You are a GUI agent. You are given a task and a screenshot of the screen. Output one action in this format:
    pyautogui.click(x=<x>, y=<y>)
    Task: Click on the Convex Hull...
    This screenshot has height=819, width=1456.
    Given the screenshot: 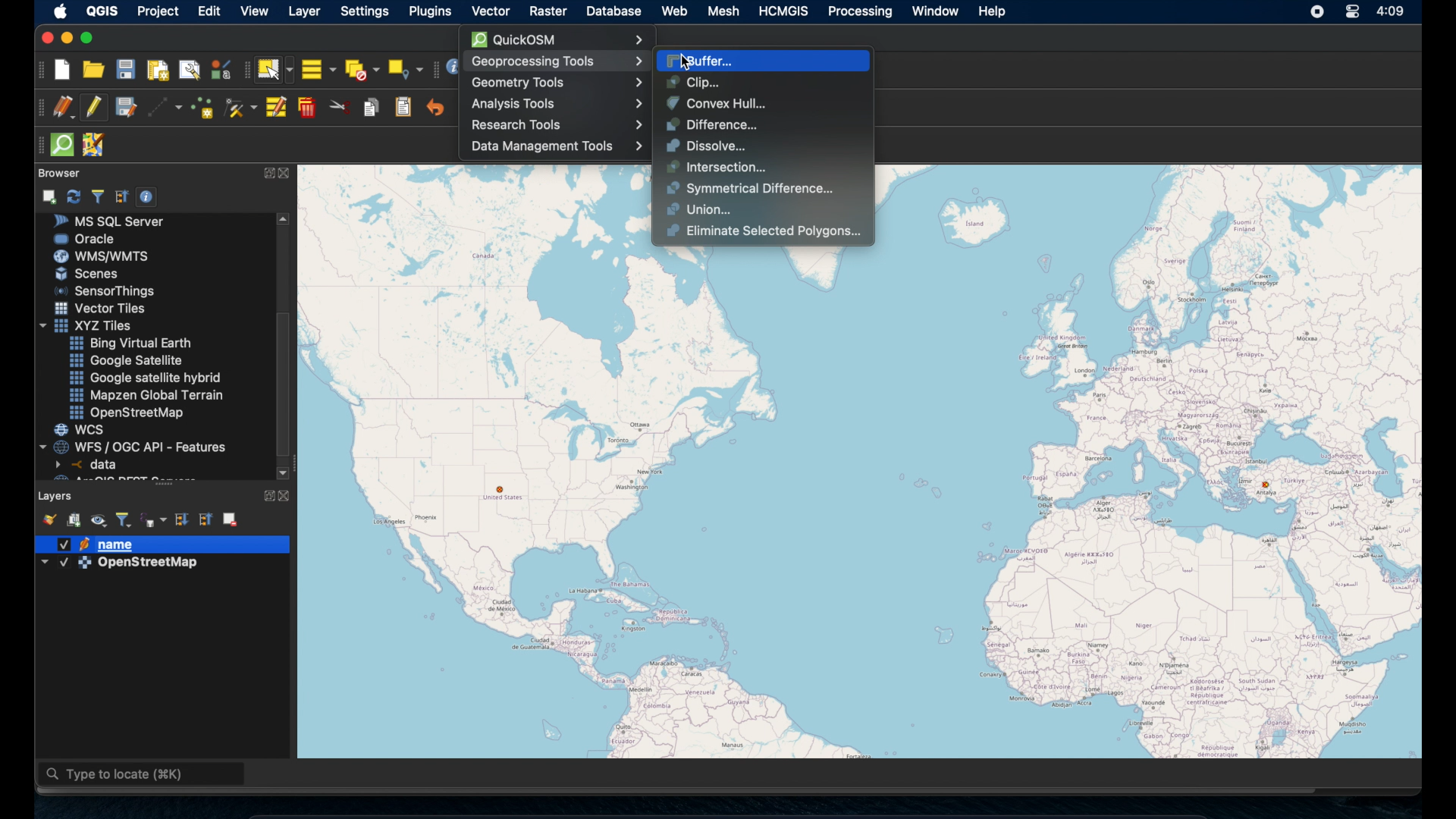 What is the action you would take?
    pyautogui.click(x=717, y=102)
    